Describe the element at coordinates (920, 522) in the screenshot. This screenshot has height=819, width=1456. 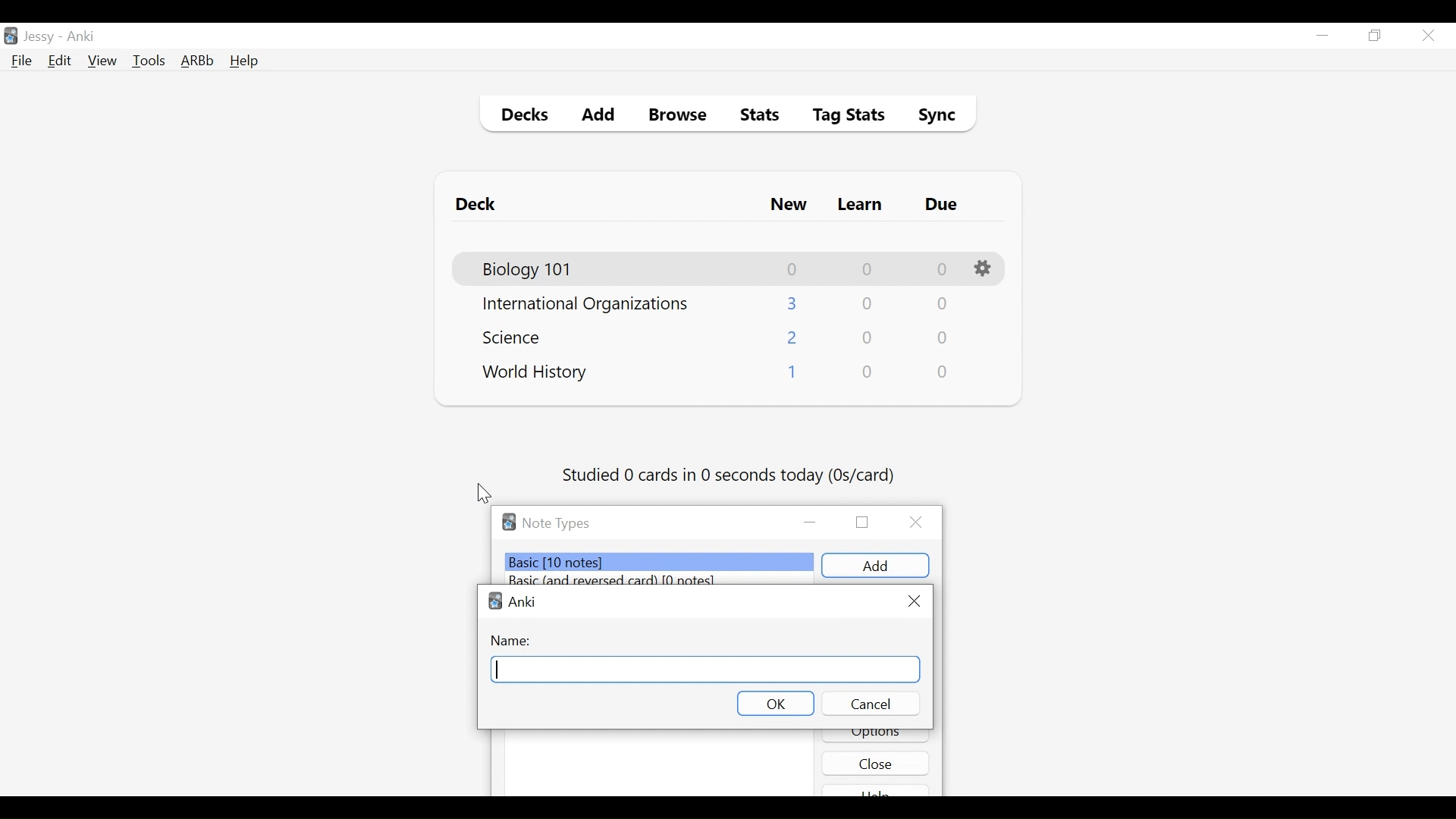
I see `Close` at that location.